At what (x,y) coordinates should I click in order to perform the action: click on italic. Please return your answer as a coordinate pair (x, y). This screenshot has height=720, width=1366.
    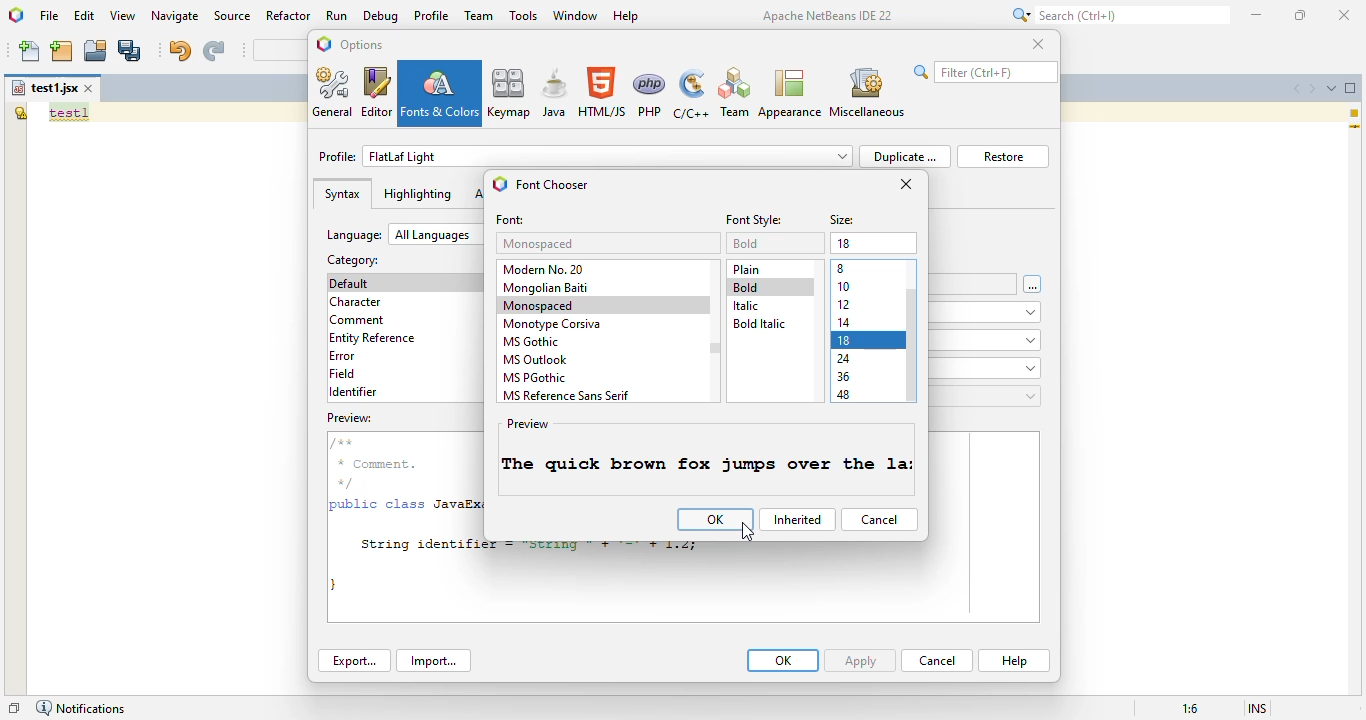
    Looking at the image, I should click on (745, 306).